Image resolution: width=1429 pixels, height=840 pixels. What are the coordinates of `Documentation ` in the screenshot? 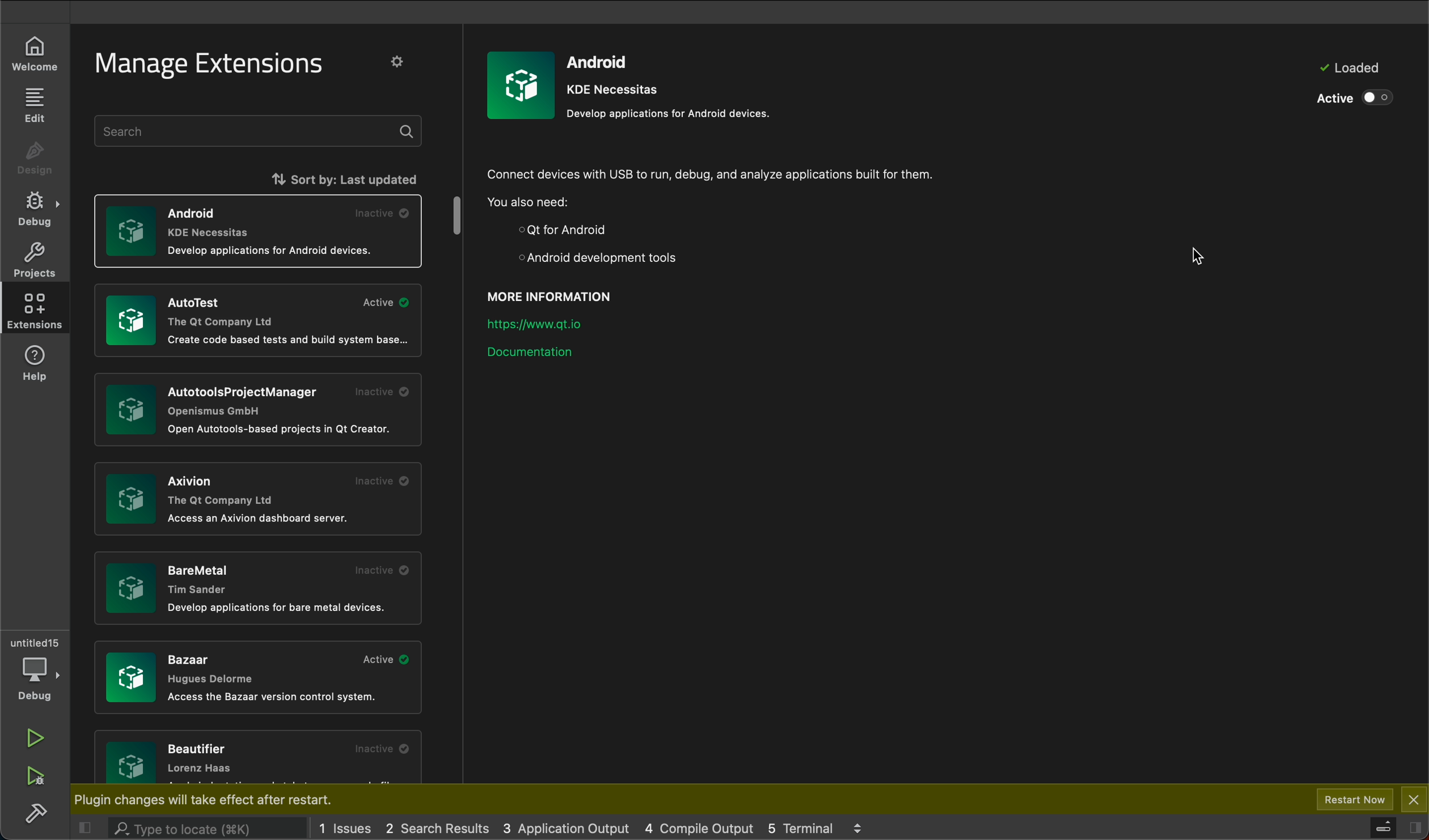 It's located at (539, 359).